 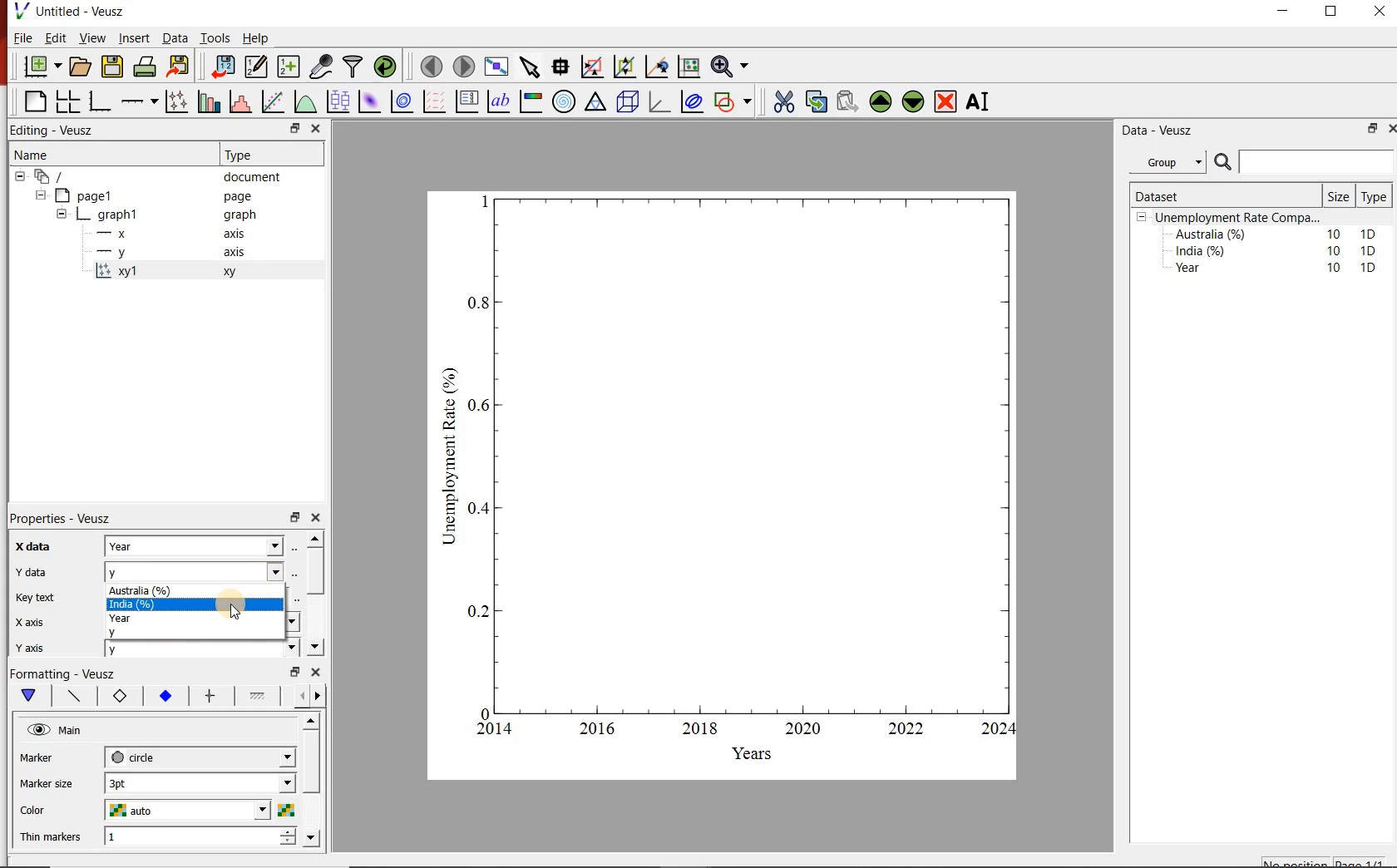 I want to click on ‘document, so click(x=155, y=175).